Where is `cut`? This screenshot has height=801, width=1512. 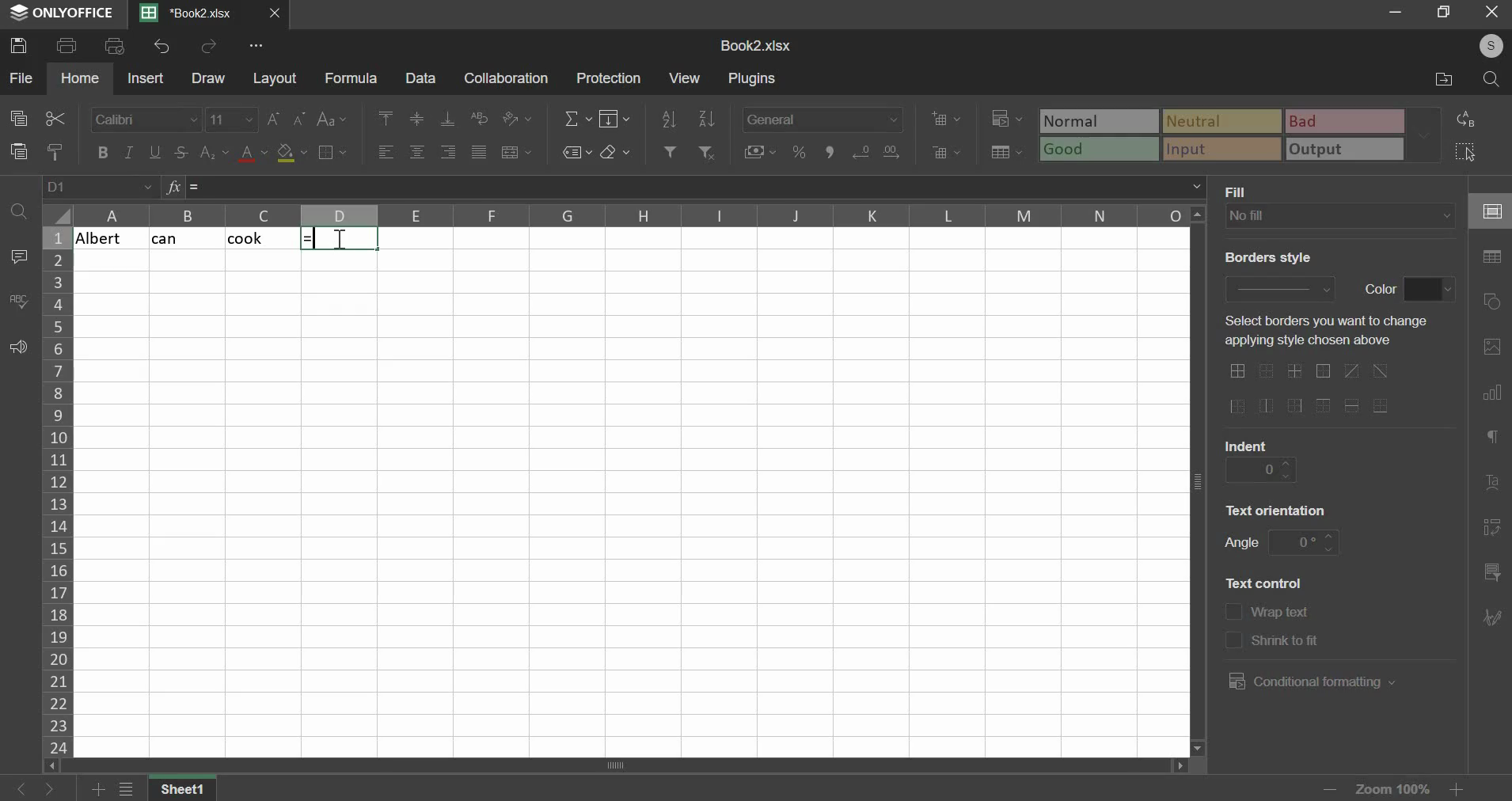
cut is located at coordinates (54, 119).